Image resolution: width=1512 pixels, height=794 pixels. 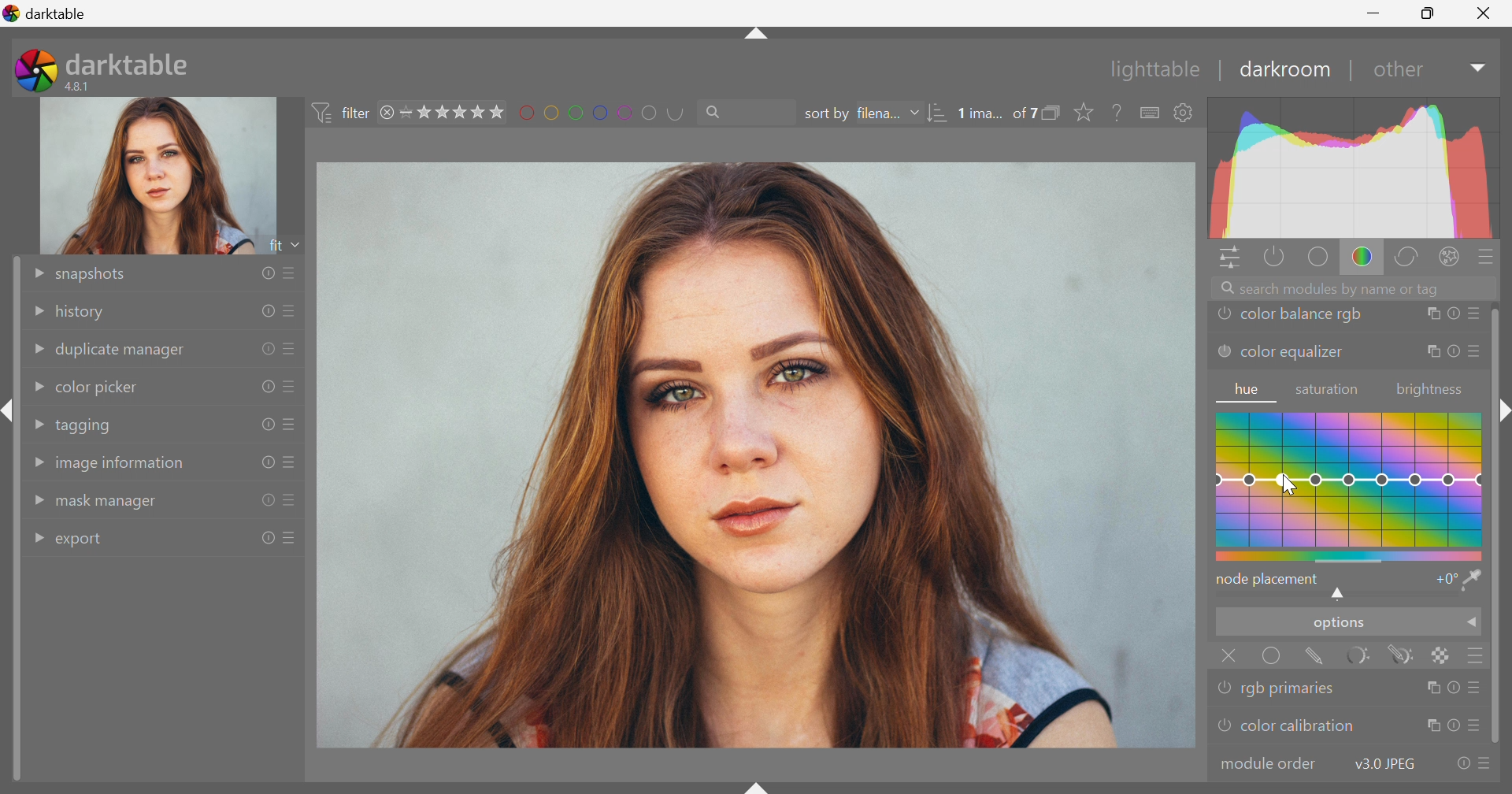 I want to click on mask manager, so click(x=109, y=504).